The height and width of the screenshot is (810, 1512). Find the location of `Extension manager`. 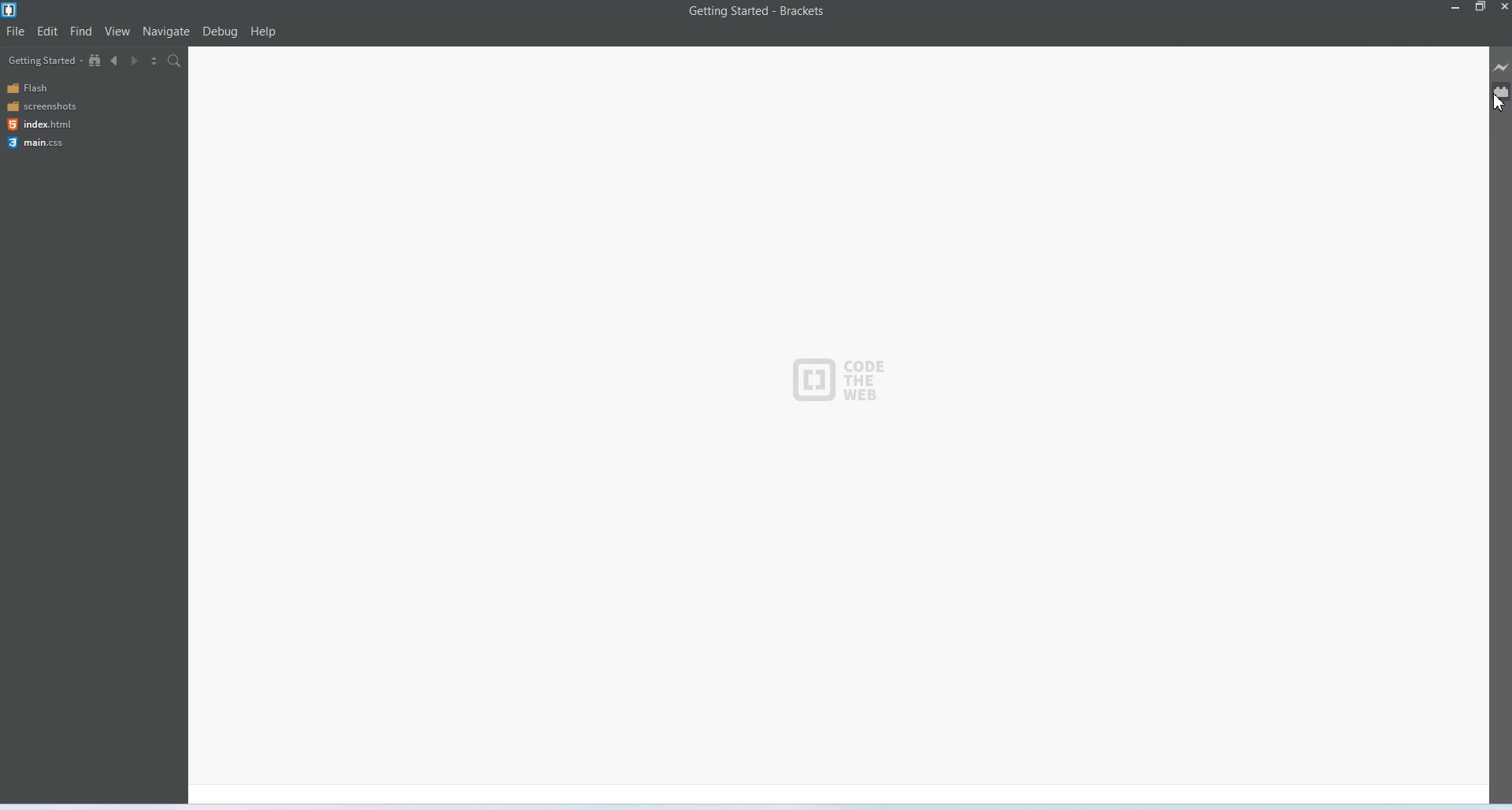

Extension manager is located at coordinates (1501, 91).